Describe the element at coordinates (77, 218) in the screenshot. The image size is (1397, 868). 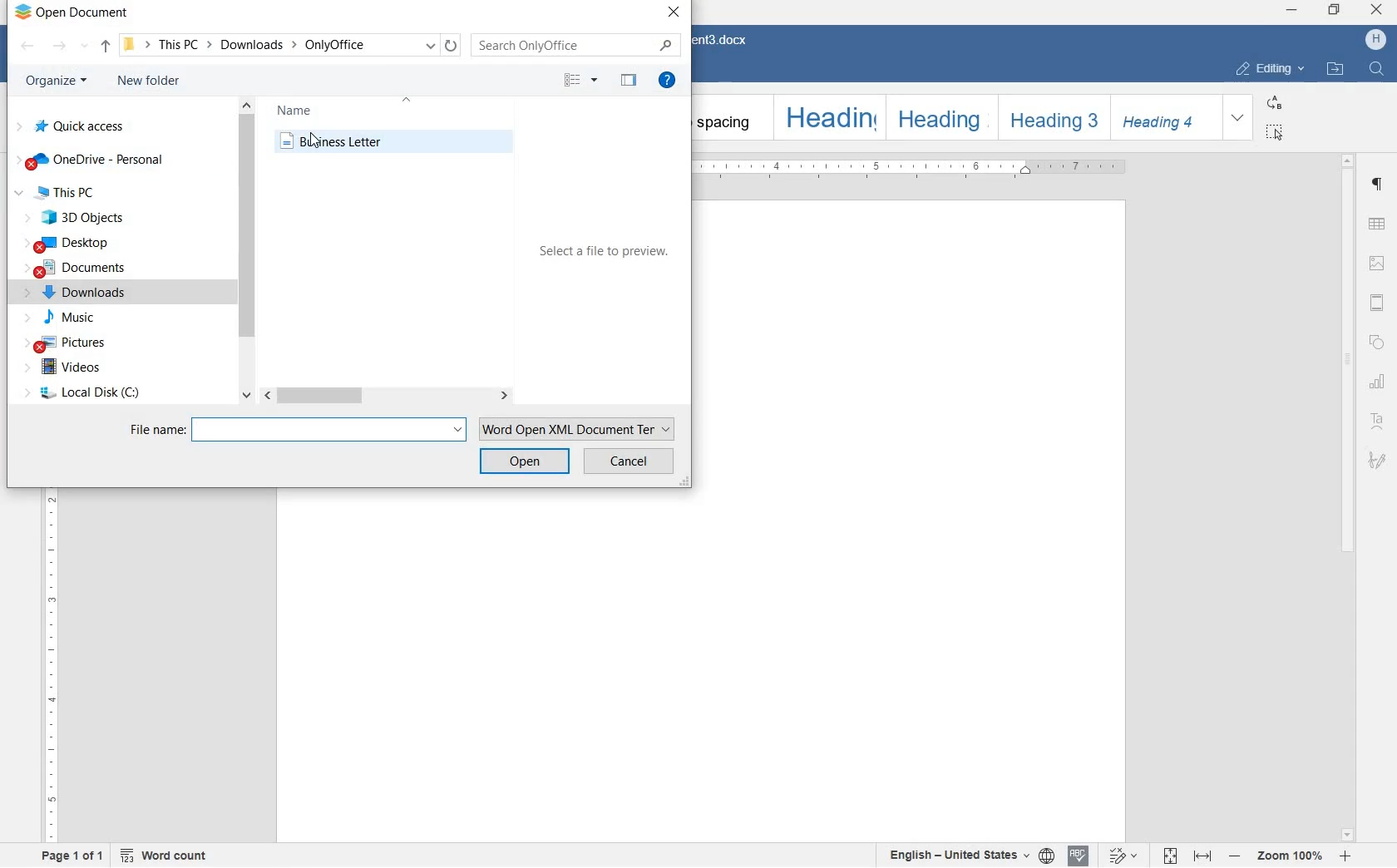
I see `3d objects` at that location.